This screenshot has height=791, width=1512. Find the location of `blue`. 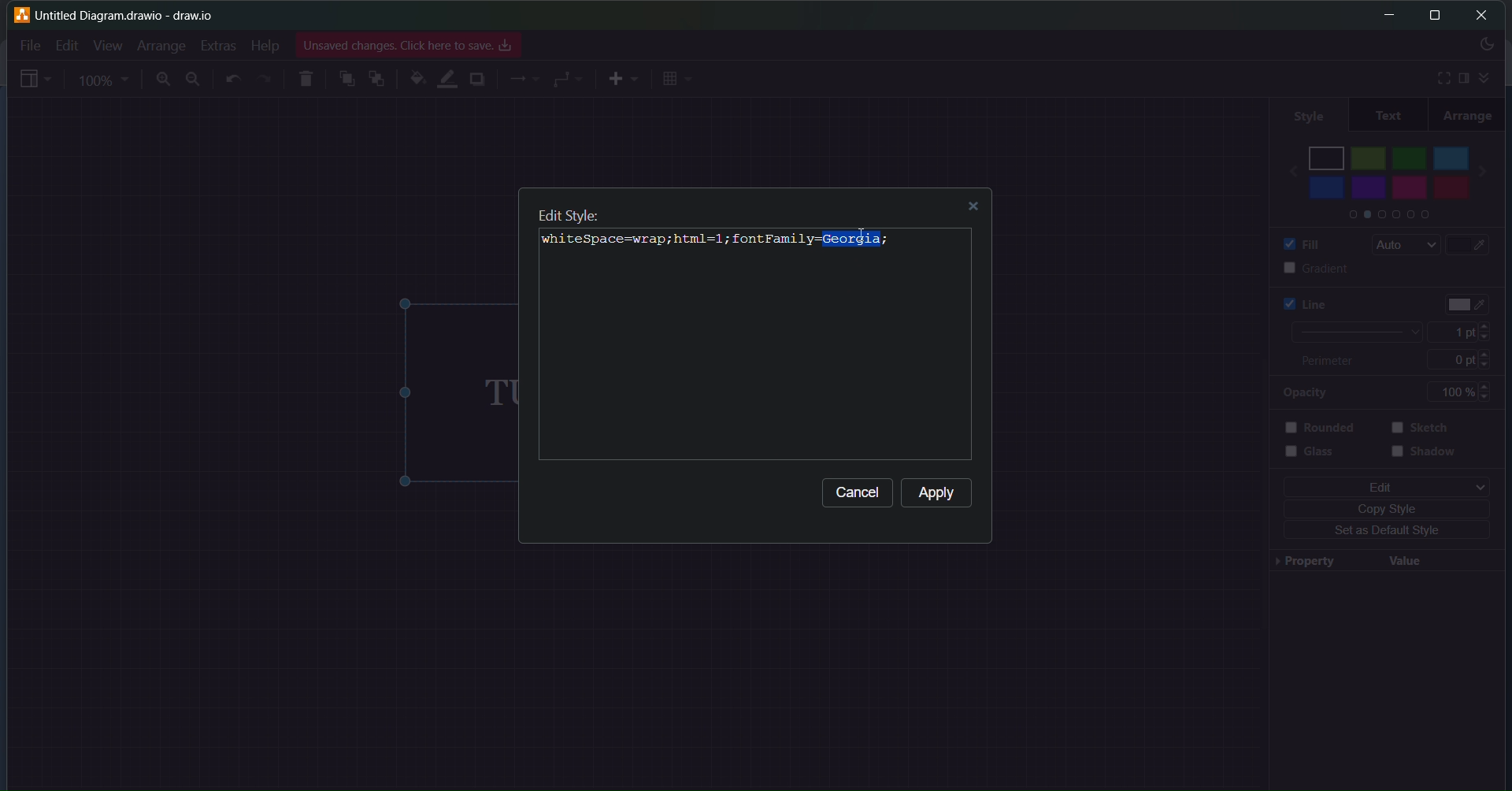

blue is located at coordinates (1326, 188).